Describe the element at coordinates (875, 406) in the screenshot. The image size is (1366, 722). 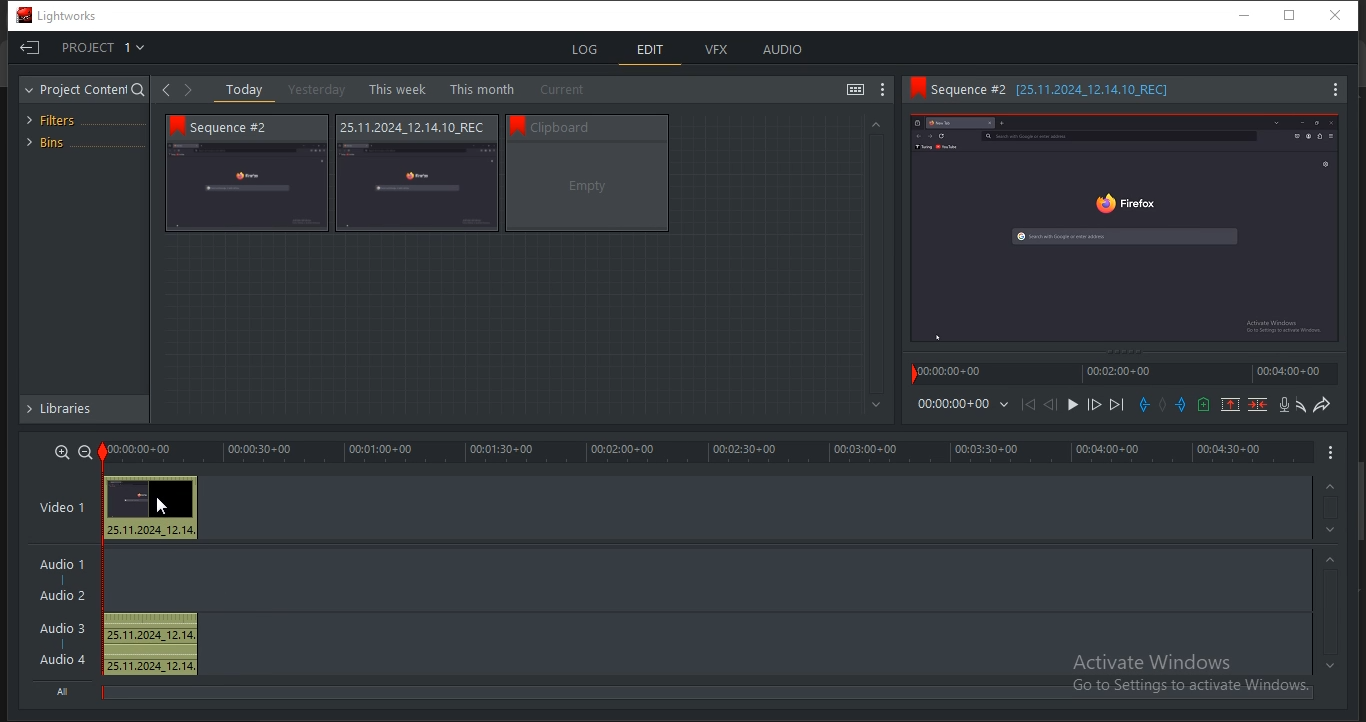
I see `Greyed out down arrow` at that location.